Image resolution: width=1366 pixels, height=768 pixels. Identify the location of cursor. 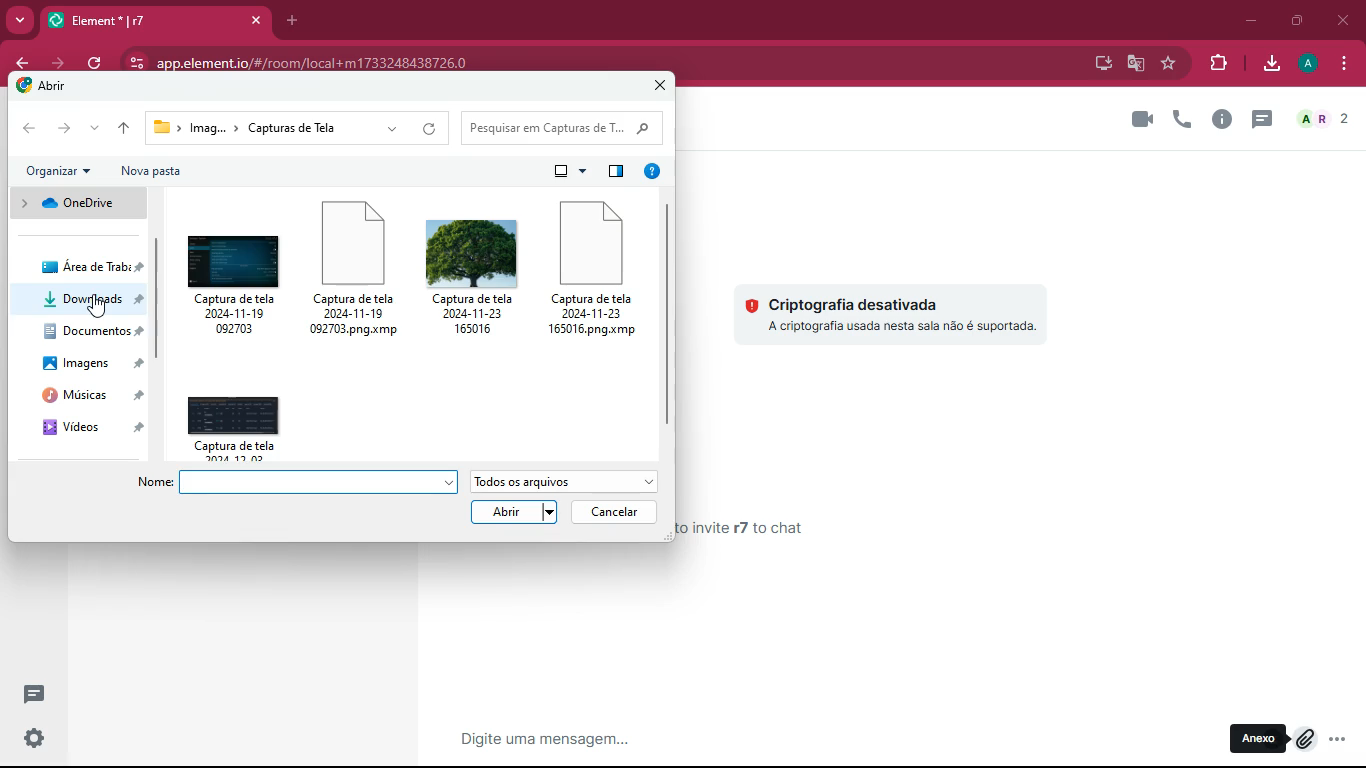
(1301, 749).